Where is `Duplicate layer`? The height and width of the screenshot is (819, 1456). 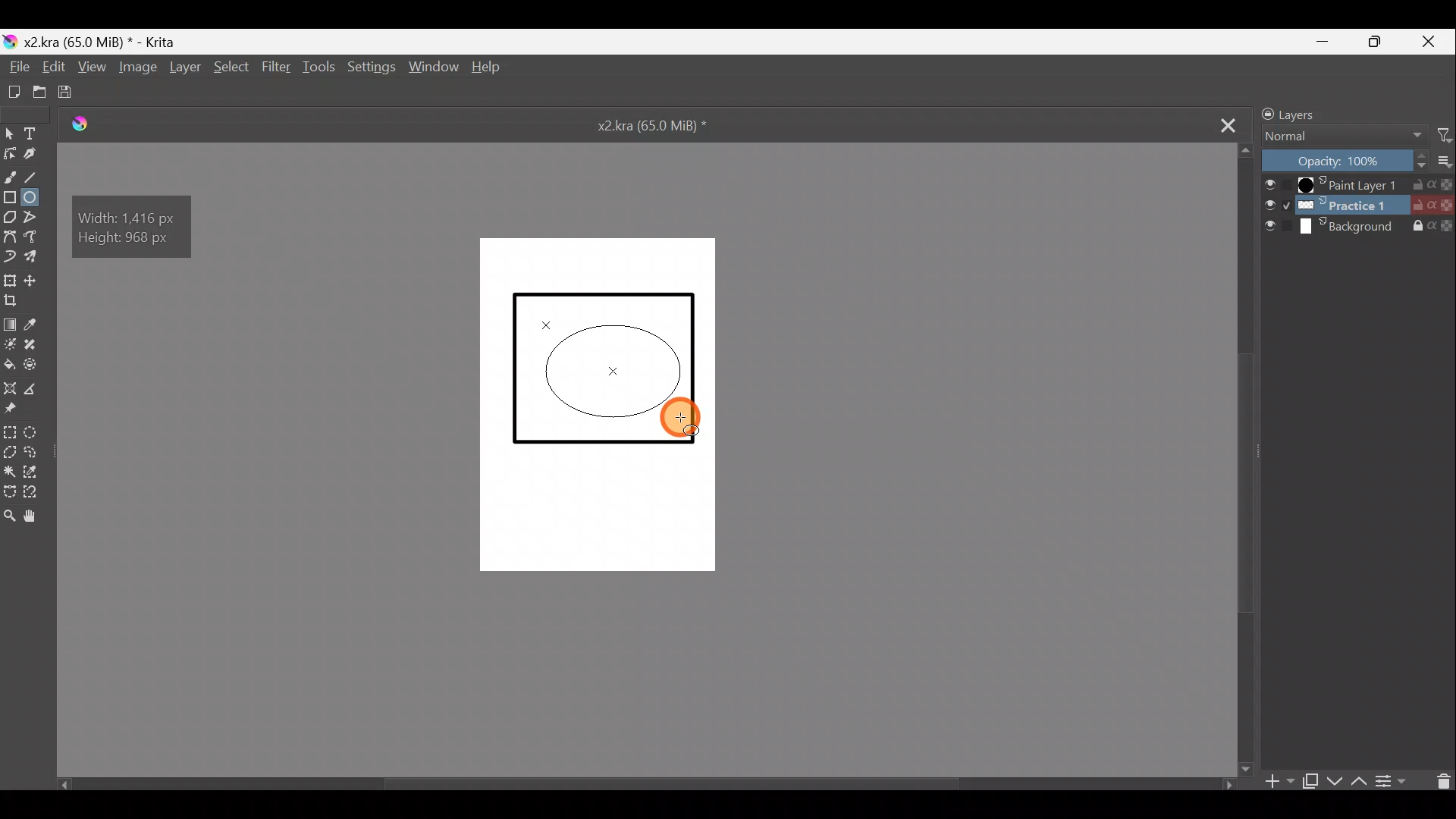
Duplicate layer is located at coordinates (1311, 779).